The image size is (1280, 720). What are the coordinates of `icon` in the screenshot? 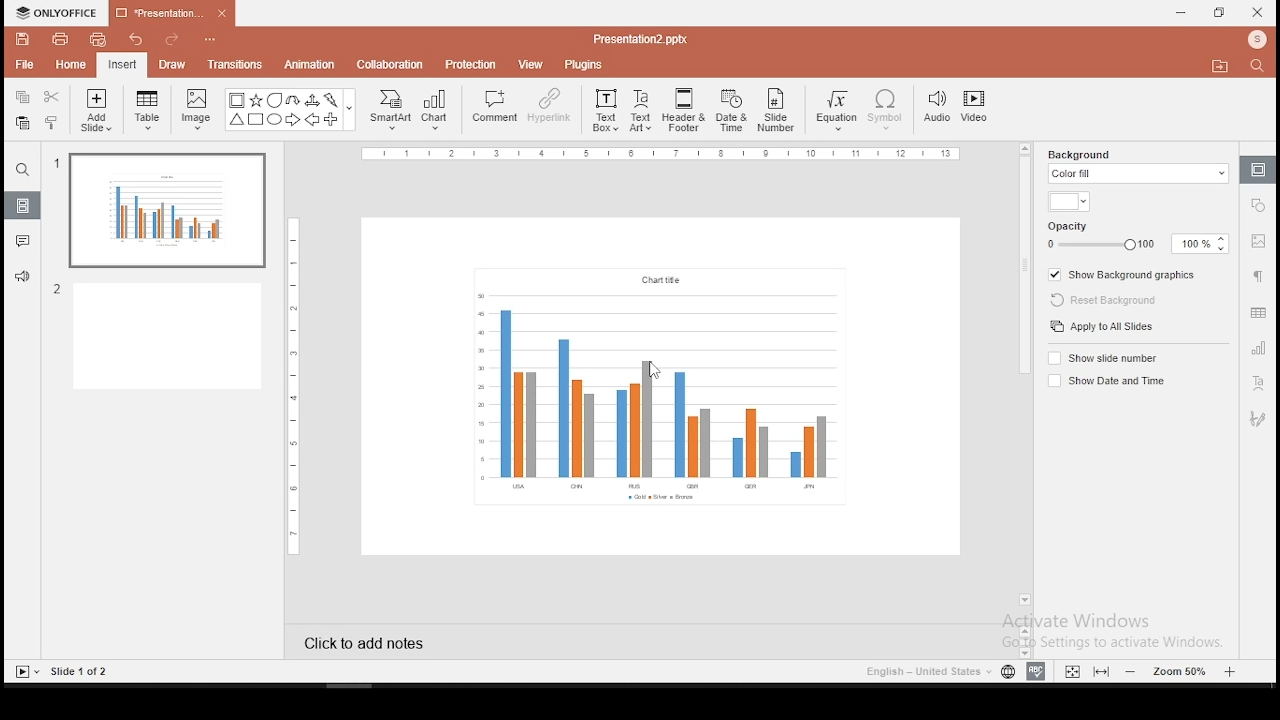 It's located at (59, 12).